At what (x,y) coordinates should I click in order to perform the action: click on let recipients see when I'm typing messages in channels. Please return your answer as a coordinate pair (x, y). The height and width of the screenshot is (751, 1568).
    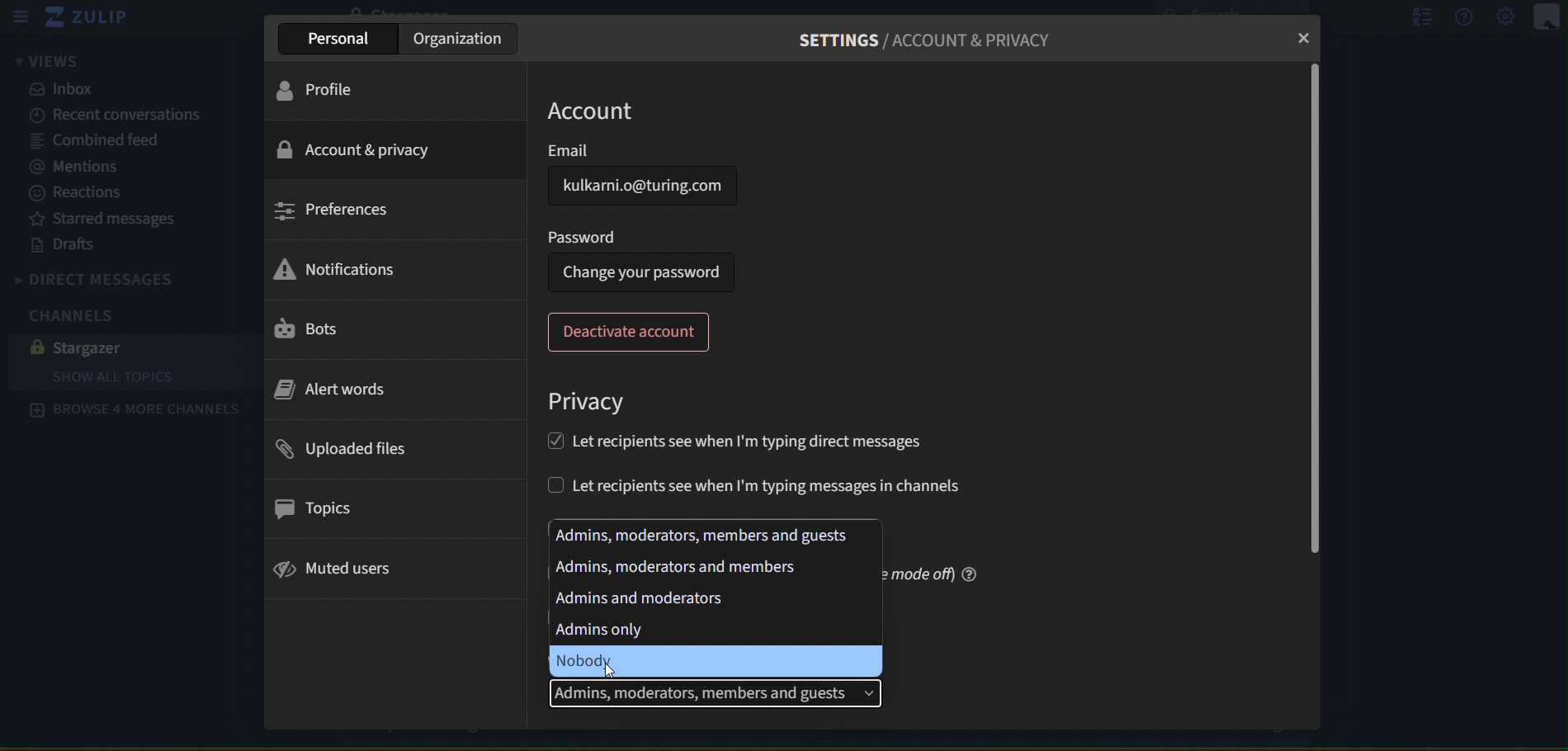
    Looking at the image, I should click on (786, 488).